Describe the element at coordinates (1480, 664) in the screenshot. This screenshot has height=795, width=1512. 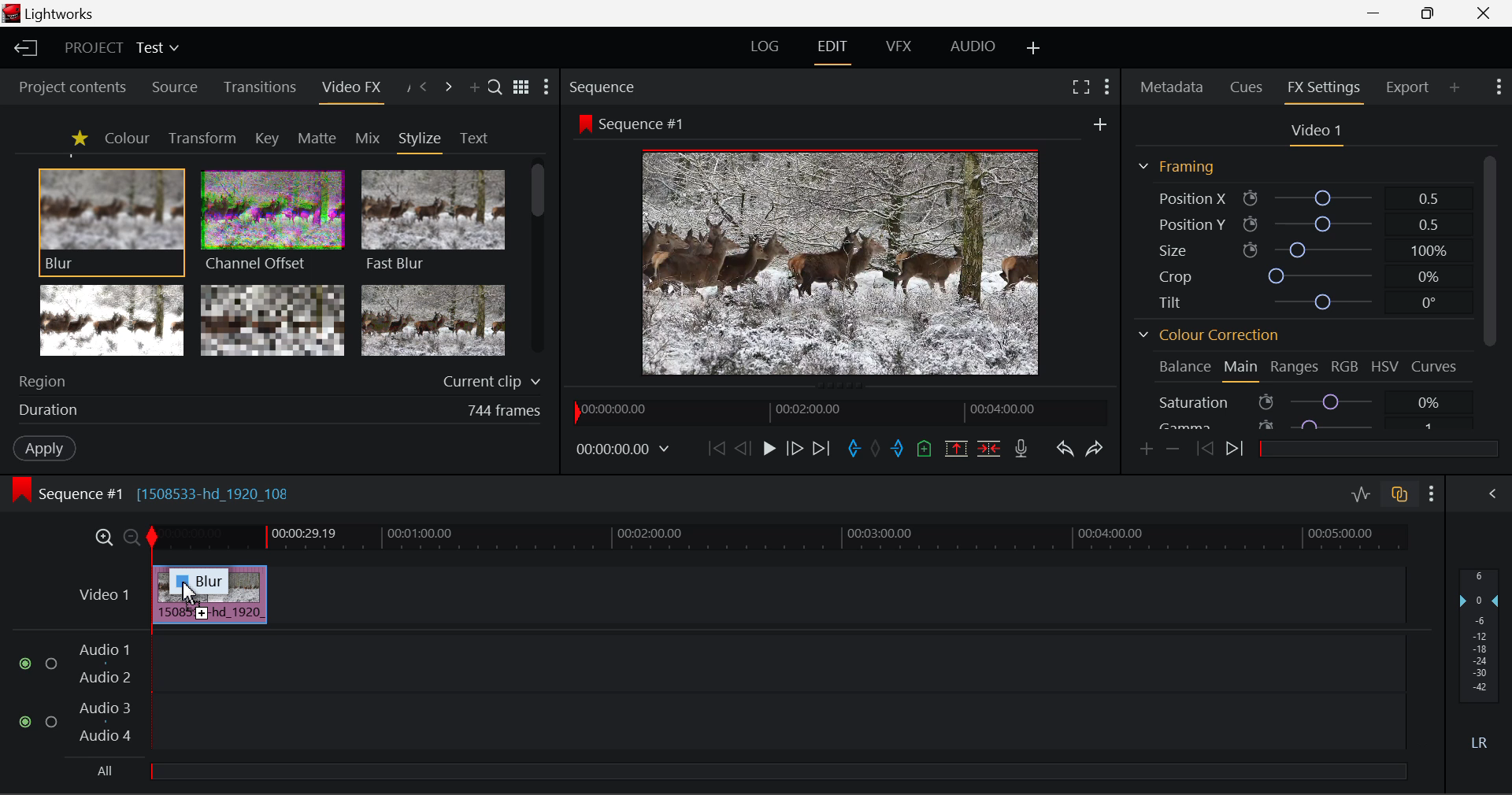
I see `Decibel Level` at that location.